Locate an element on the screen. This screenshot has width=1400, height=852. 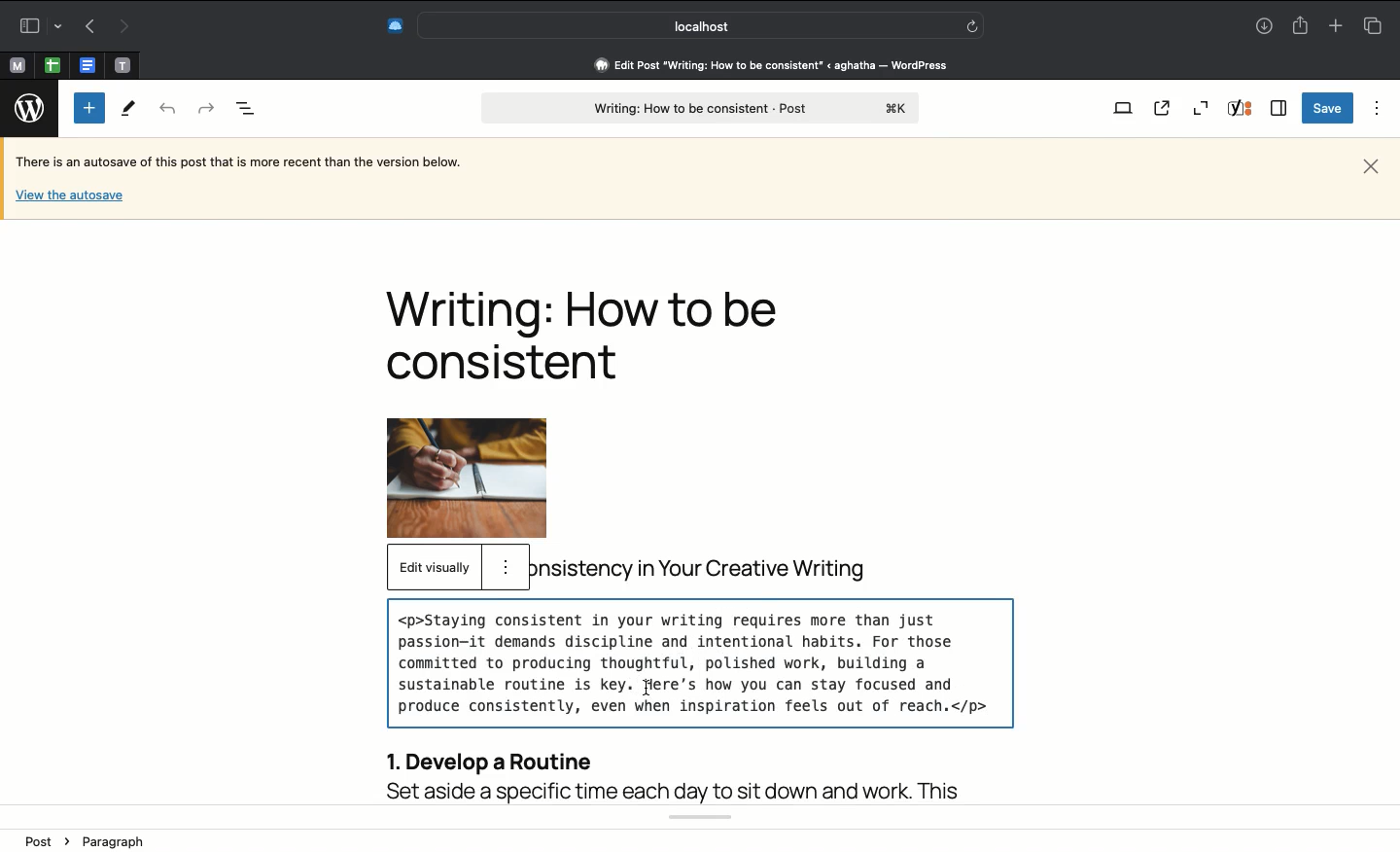
View is located at coordinates (1122, 110).